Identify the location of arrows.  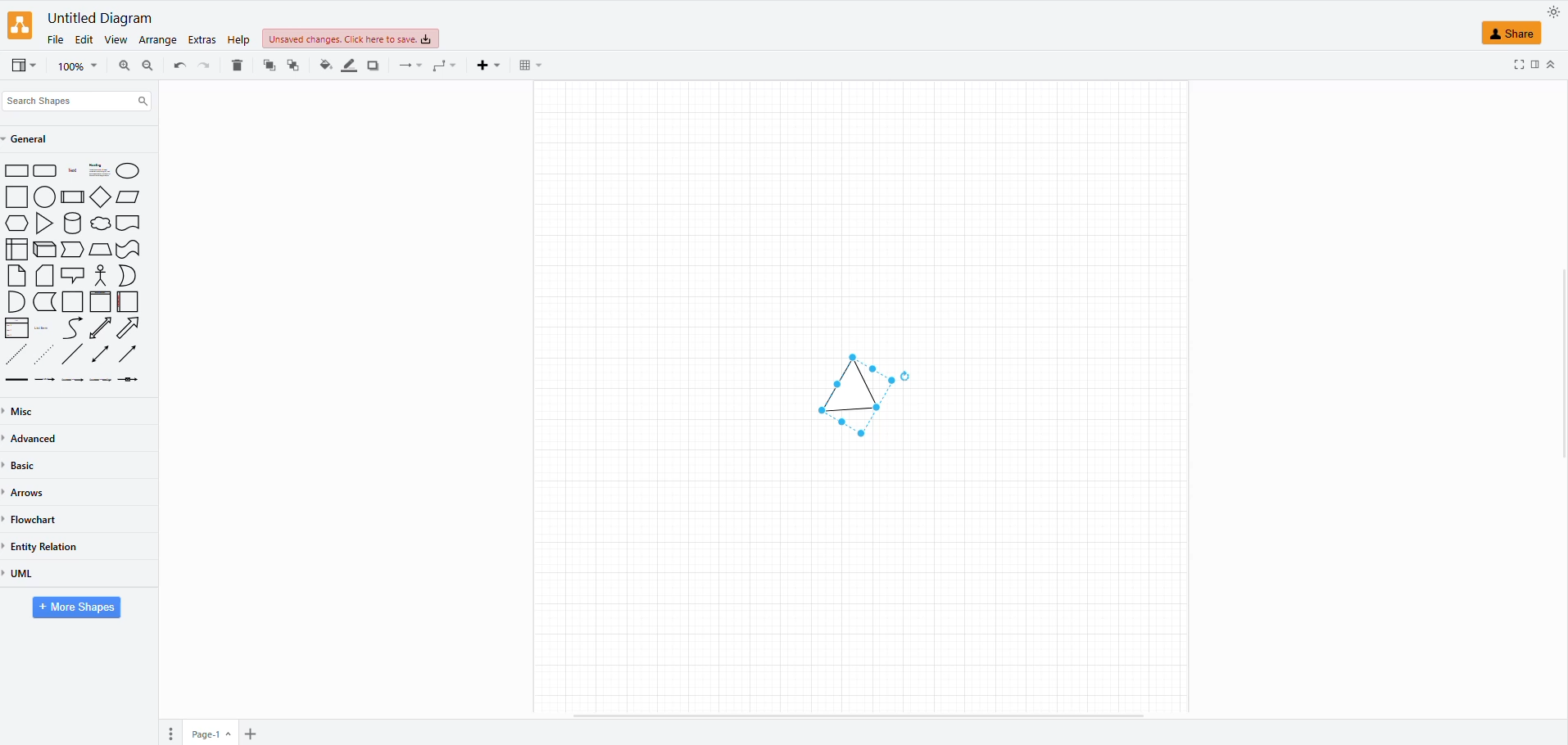
(32, 492).